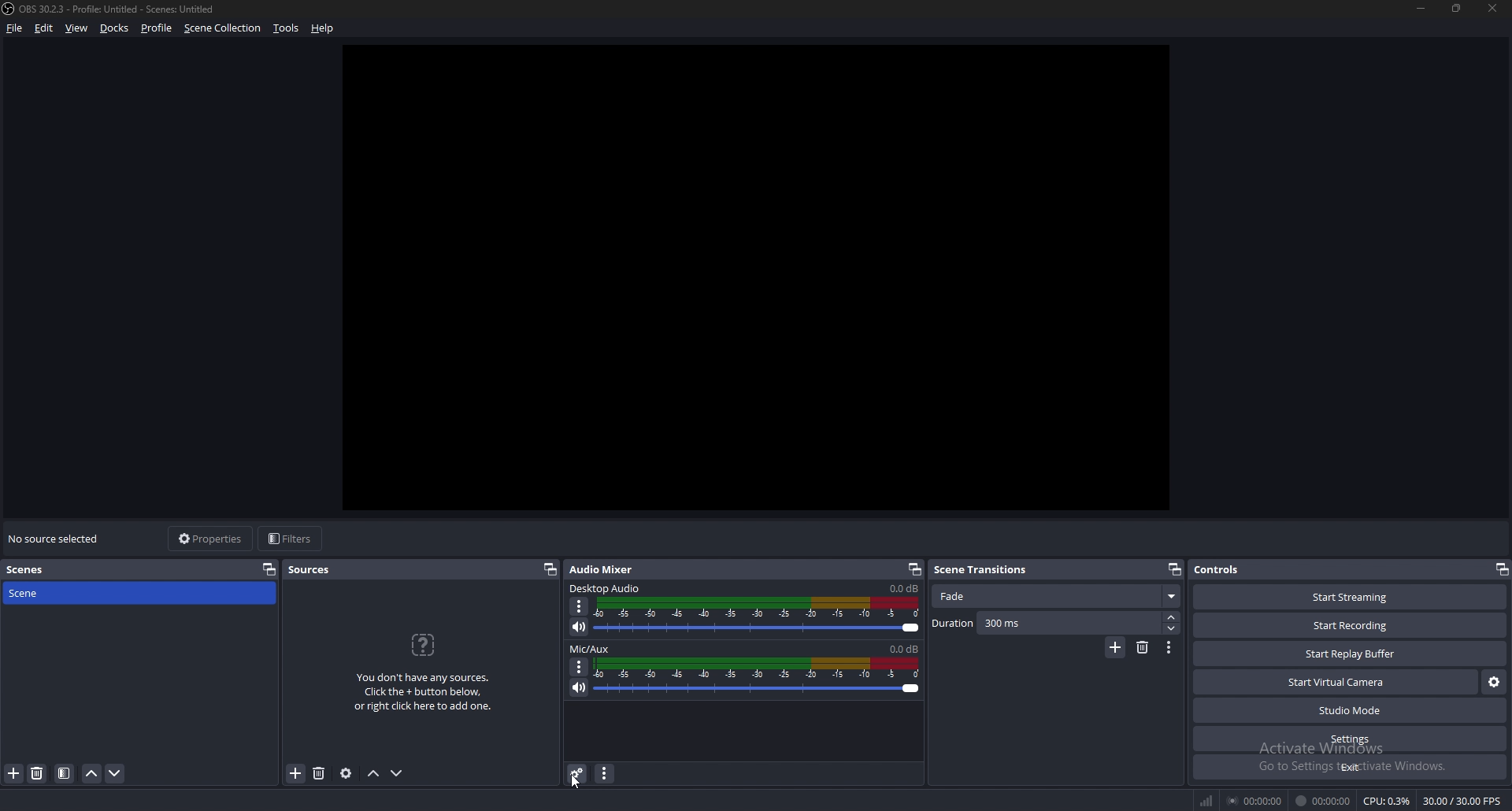 Image resolution: width=1512 pixels, height=811 pixels. I want to click on move scene down, so click(115, 772).